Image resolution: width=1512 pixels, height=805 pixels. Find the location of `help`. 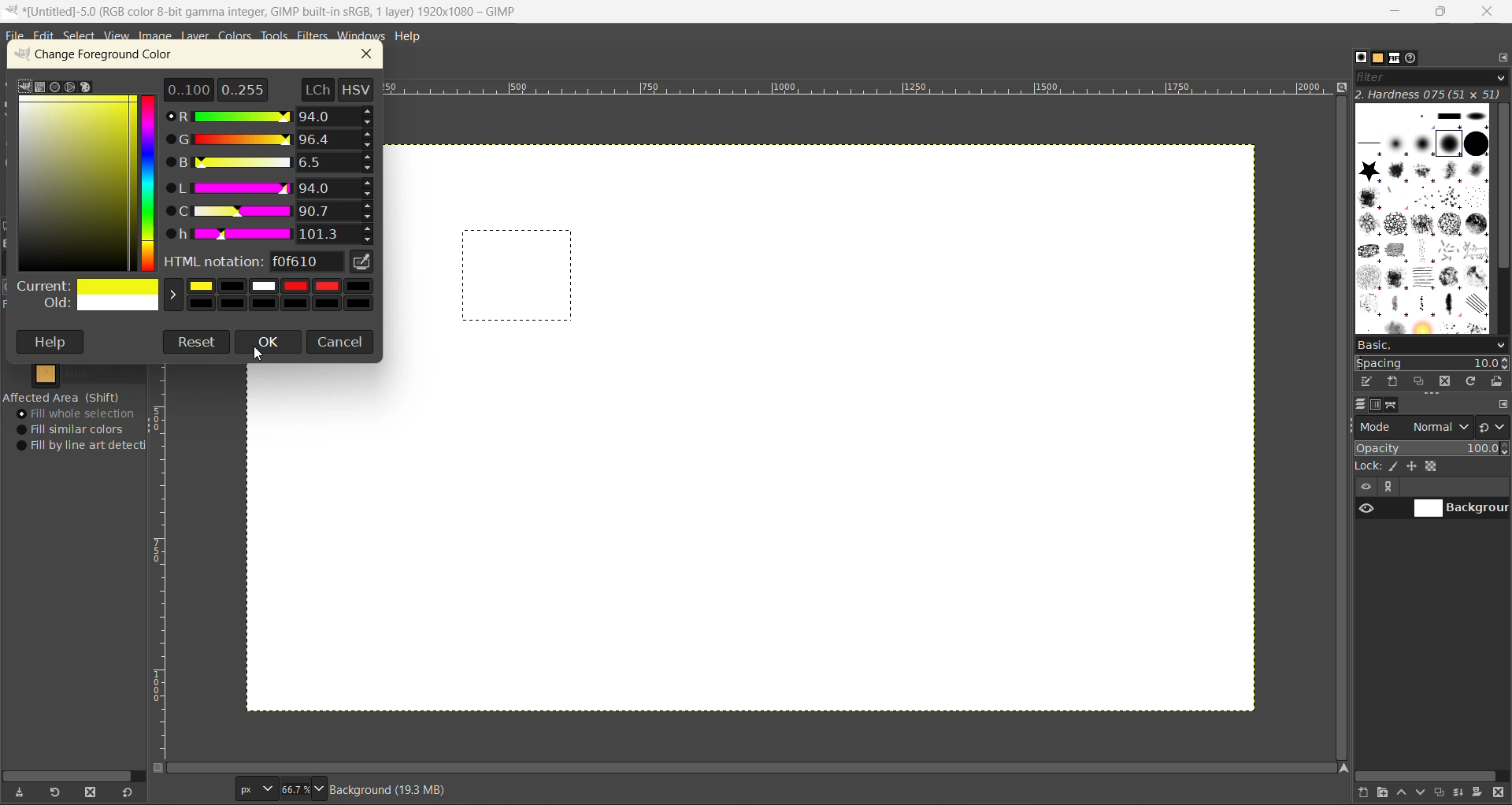

help is located at coordinates (413, 35).